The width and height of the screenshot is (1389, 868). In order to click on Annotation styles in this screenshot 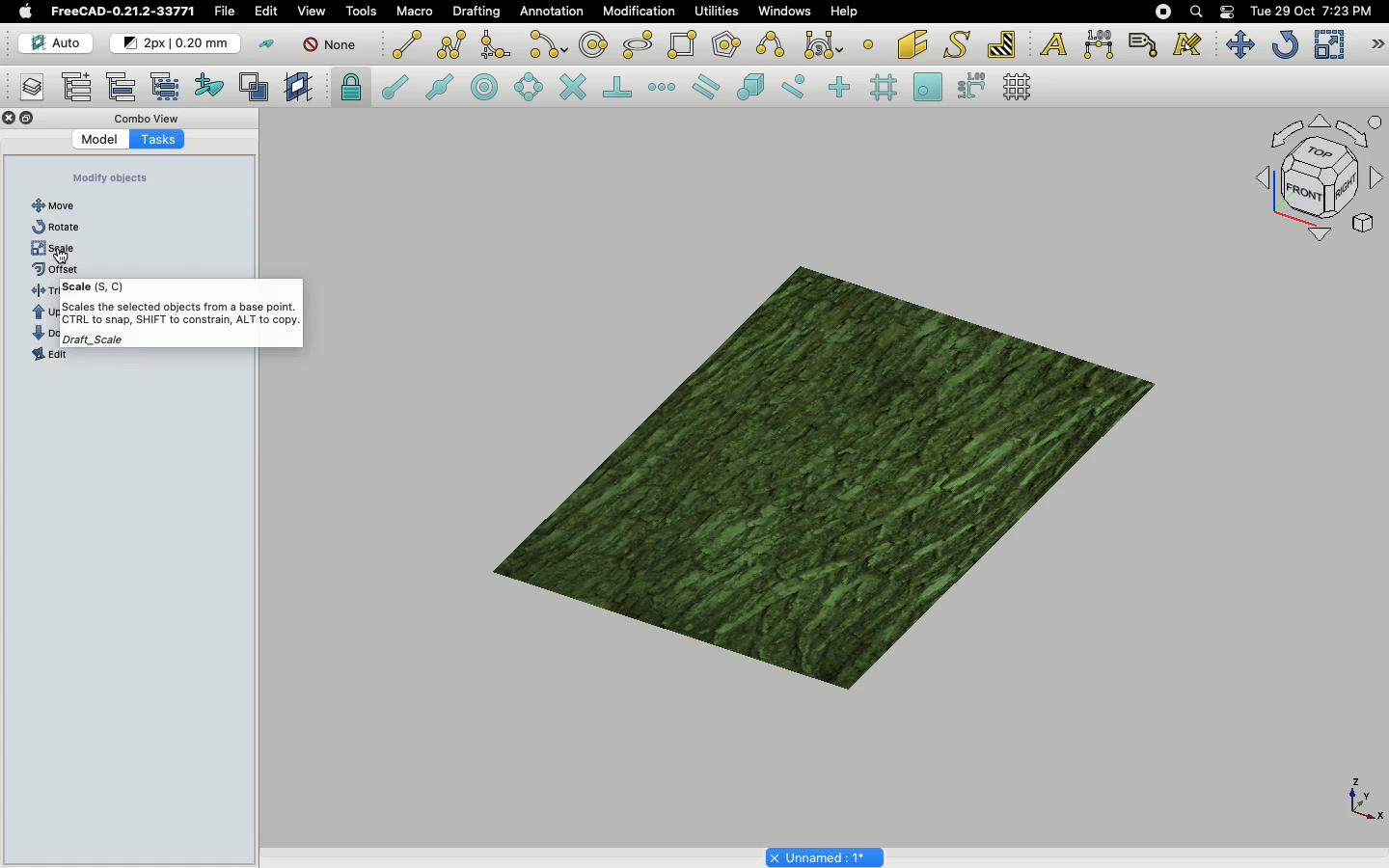, I will do `click(1186, 46)`.